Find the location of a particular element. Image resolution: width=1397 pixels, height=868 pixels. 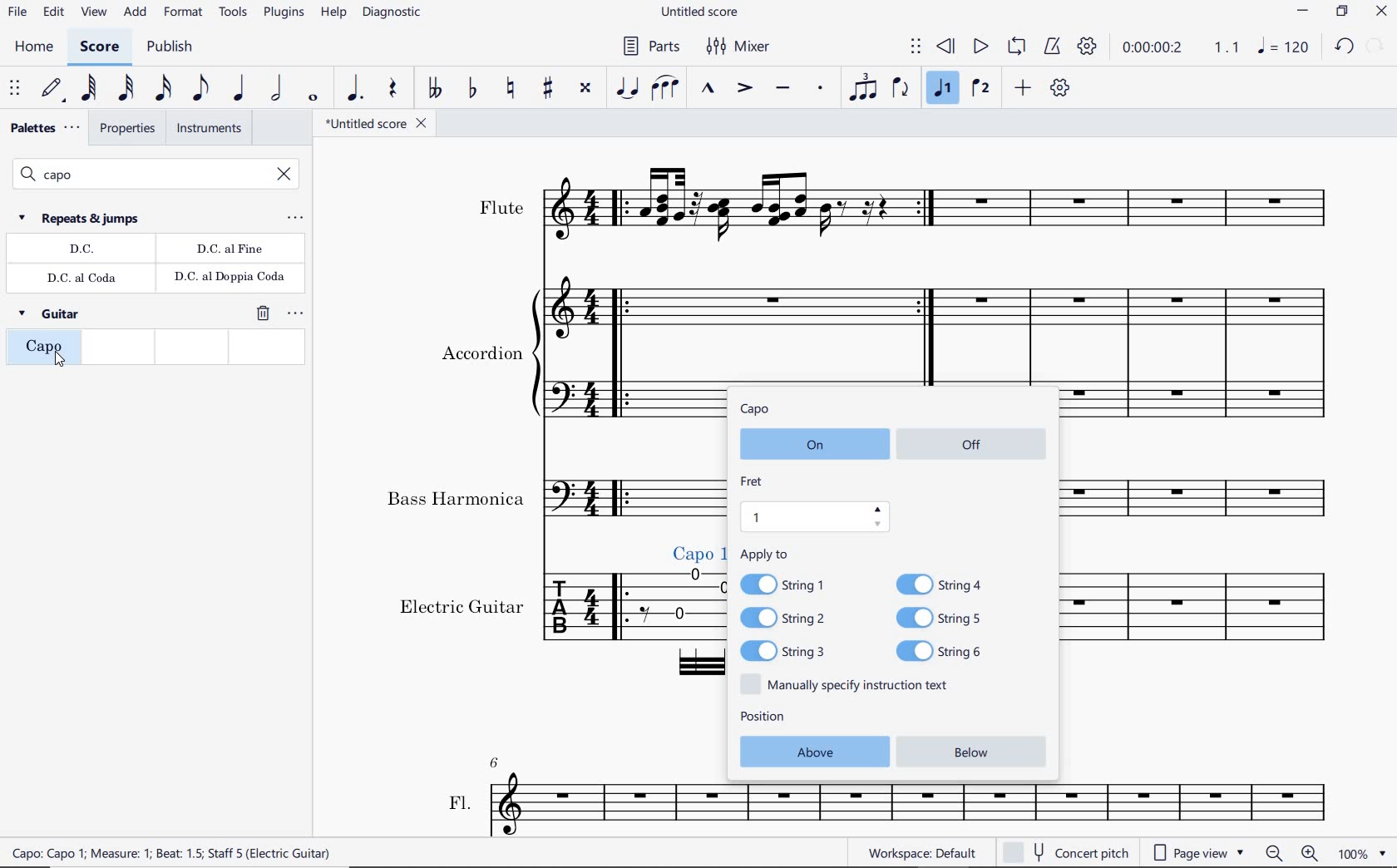

voice 2 is located at coordinates (982, 89).